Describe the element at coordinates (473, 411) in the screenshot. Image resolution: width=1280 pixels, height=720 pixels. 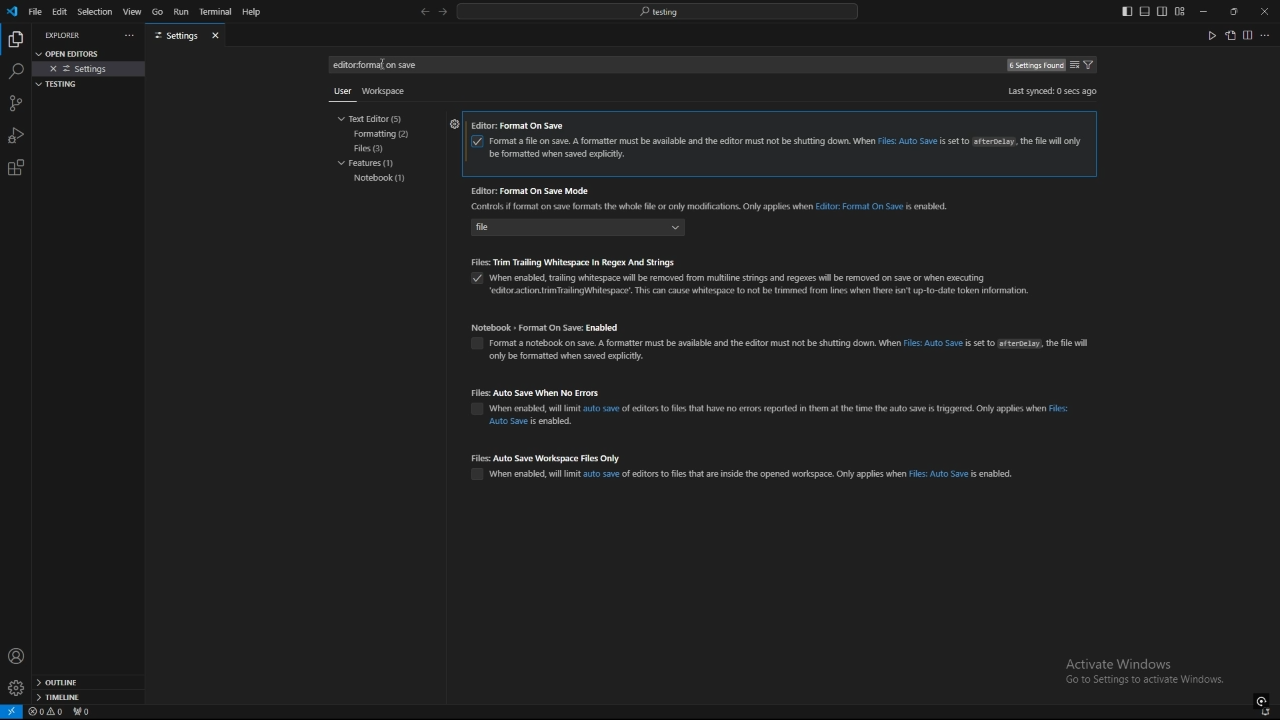
I see `unchecked` at that location.